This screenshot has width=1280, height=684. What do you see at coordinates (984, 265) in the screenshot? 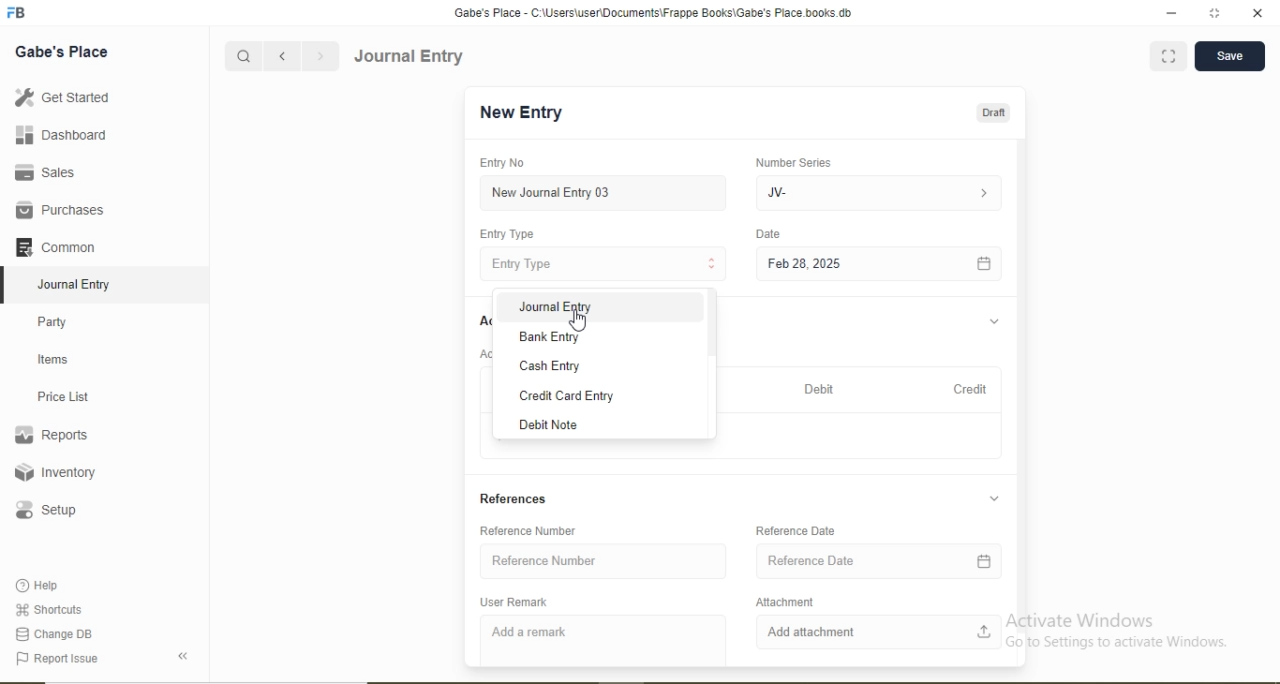
I see `Calendar` at bounding box center [984, 265].